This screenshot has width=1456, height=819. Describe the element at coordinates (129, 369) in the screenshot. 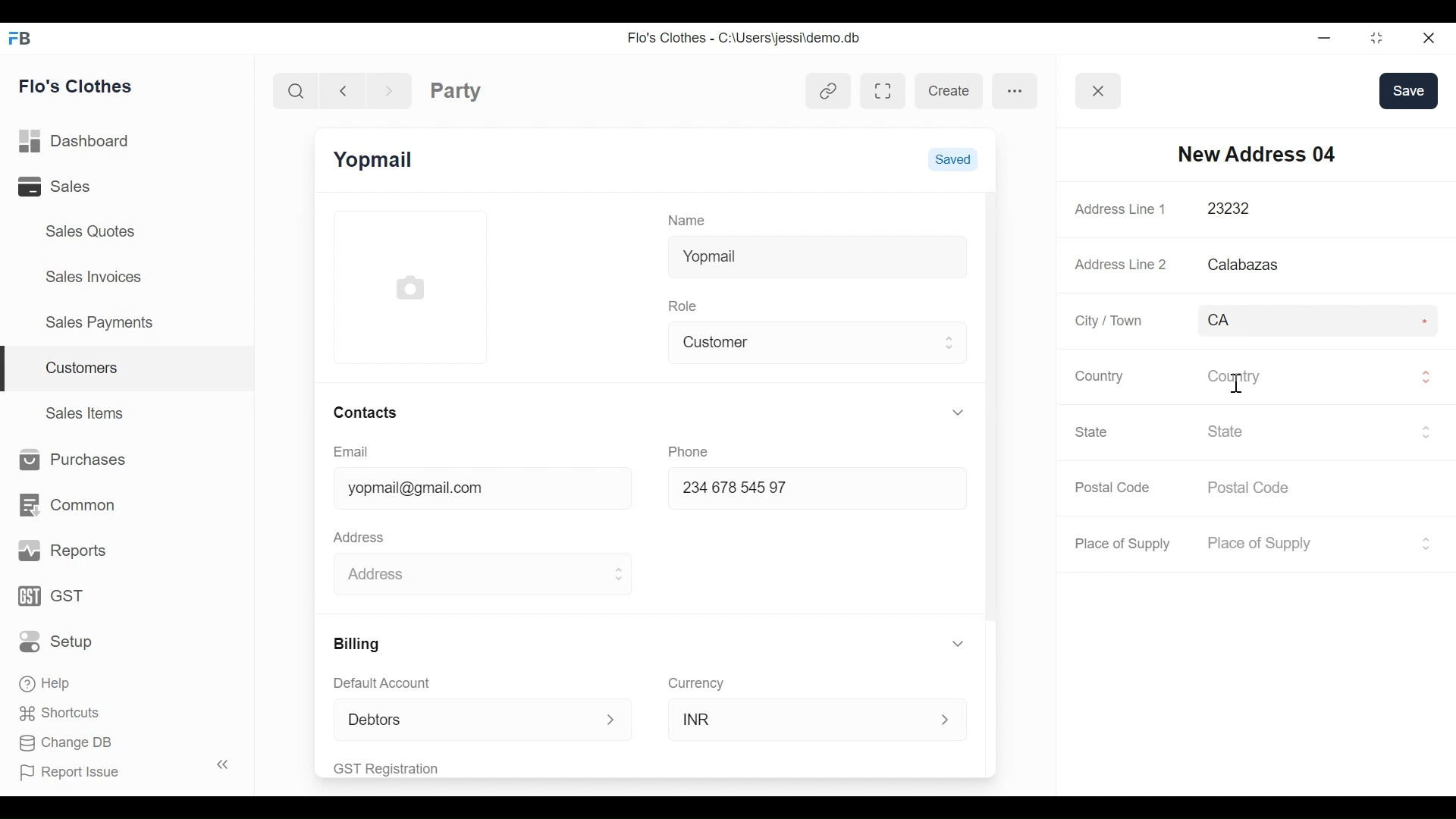

I see `Customers` at that location.